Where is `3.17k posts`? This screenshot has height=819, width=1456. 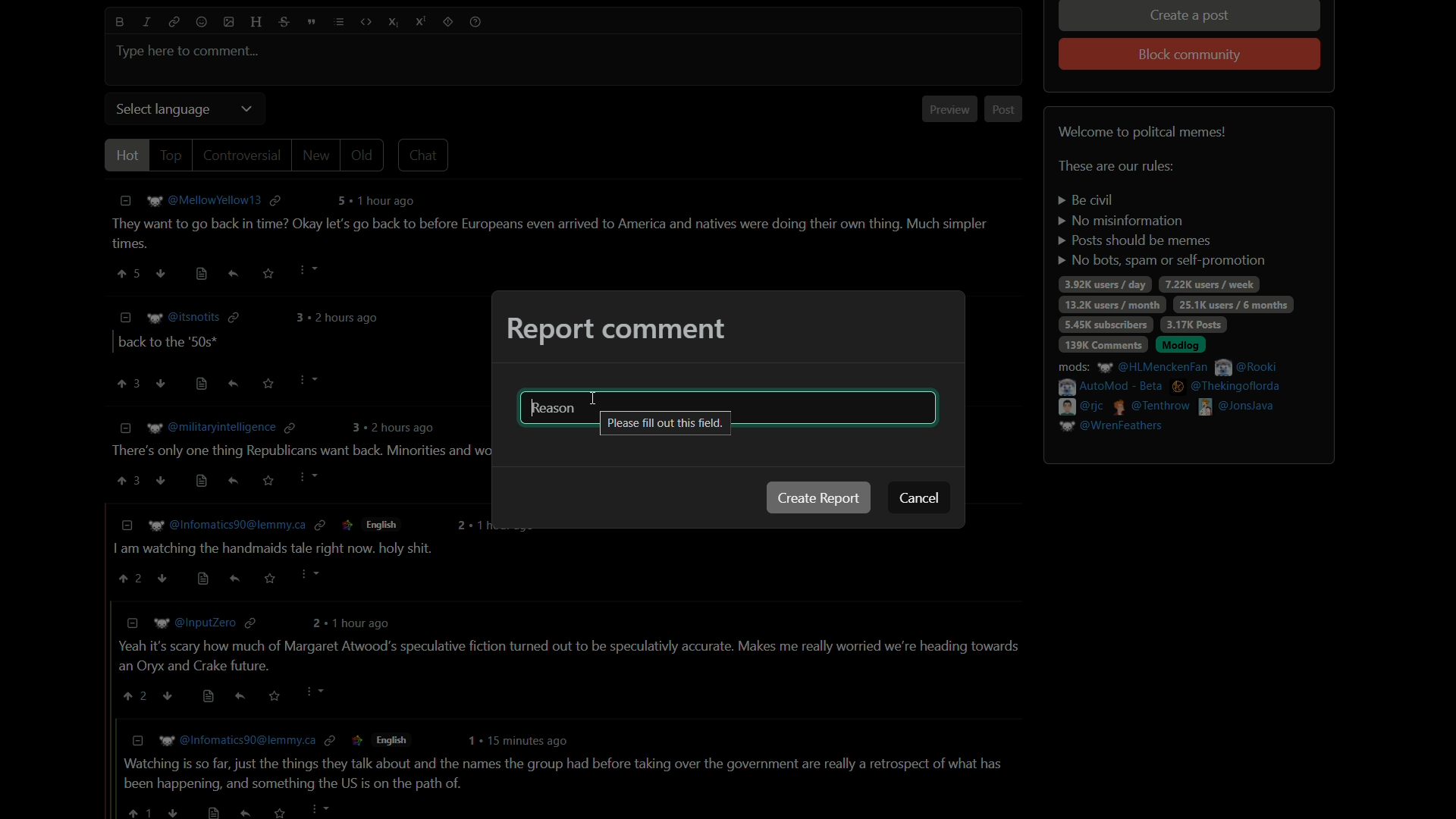 3.17k posts is located at coordinates (1193, 325).